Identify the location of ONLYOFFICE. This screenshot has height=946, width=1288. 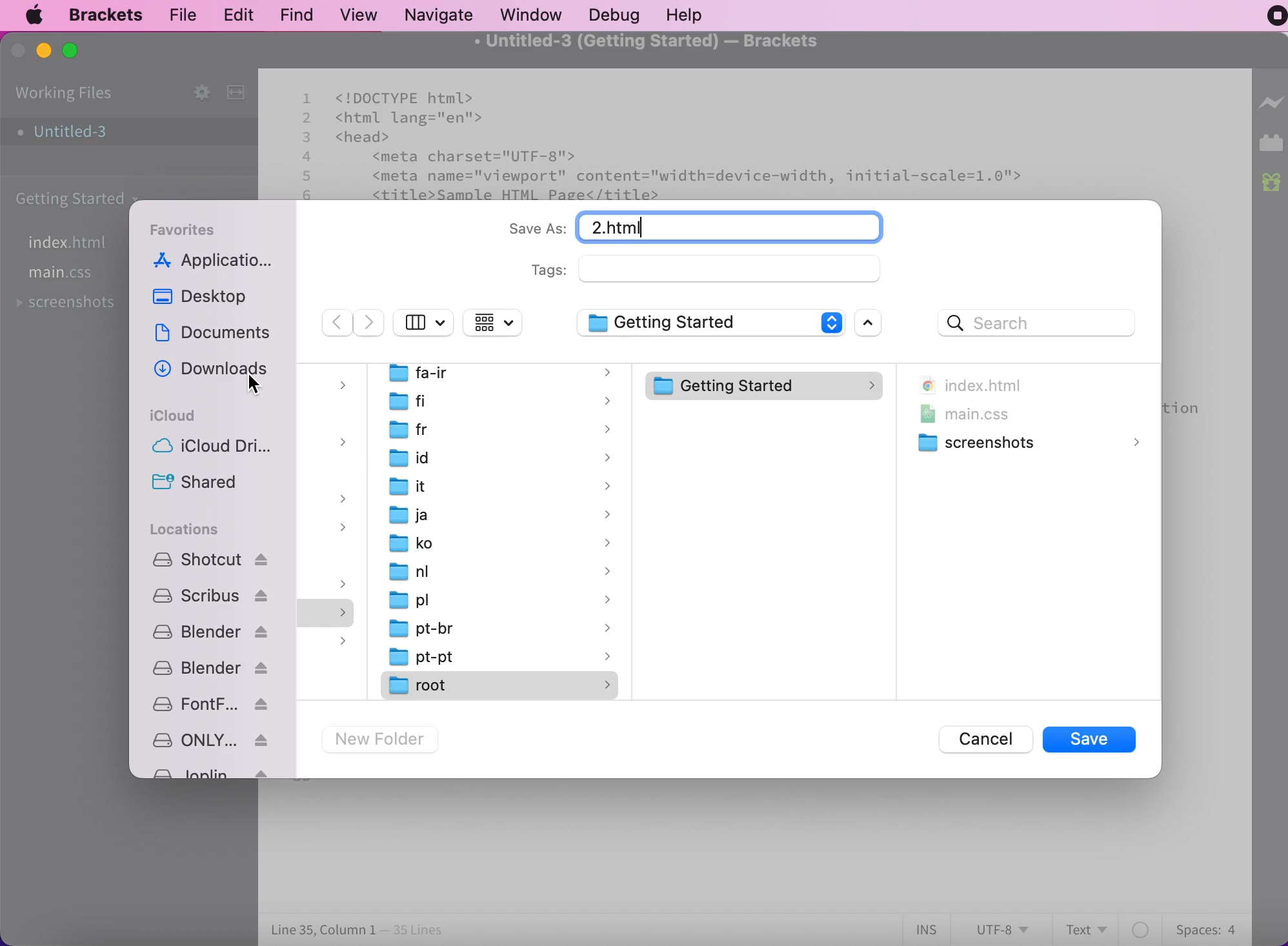
(210, 740).